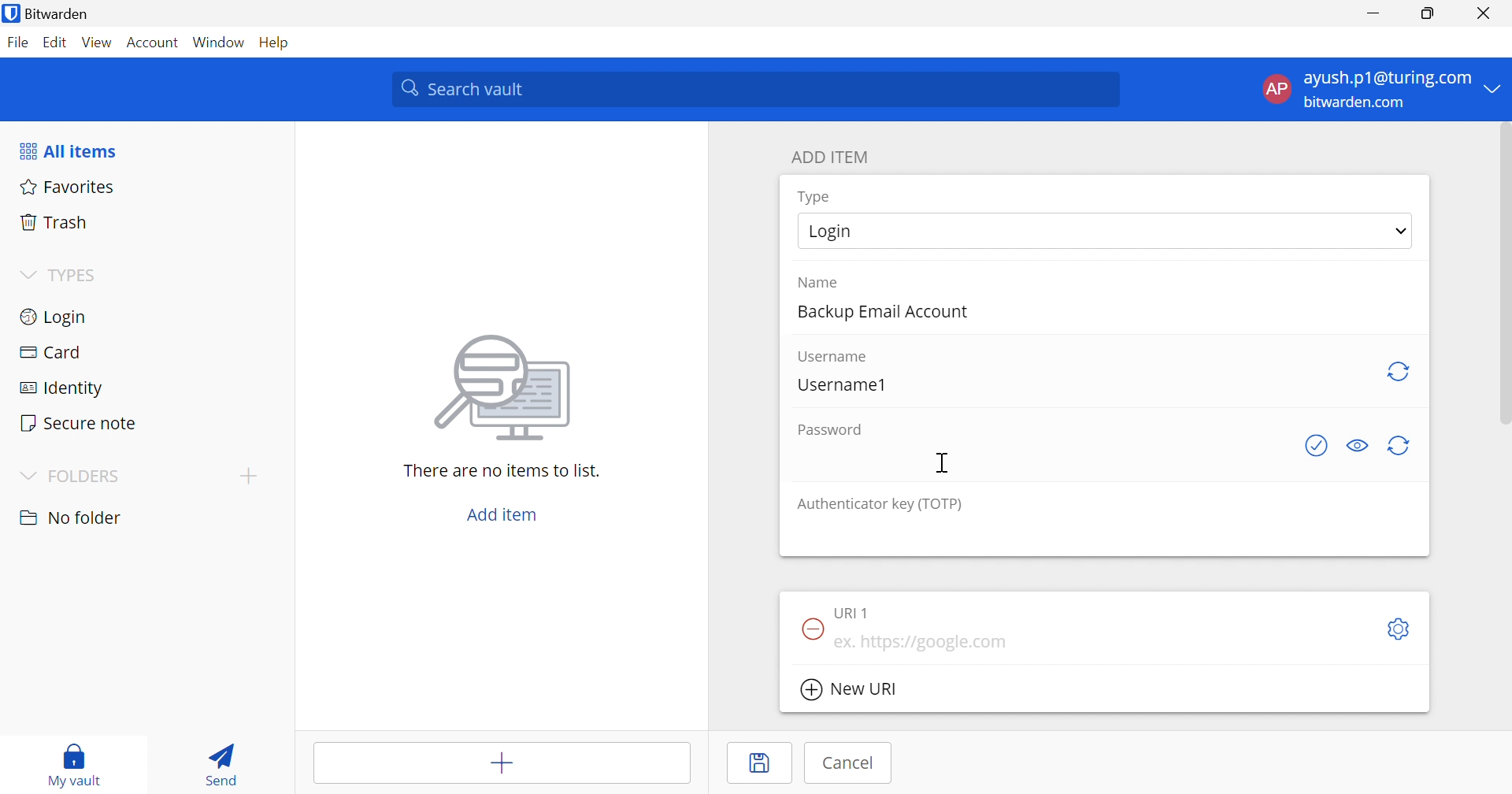 This screenshot has width=1512, height=794. I want to click on Check if password has been exposed, so click(1318, 446).